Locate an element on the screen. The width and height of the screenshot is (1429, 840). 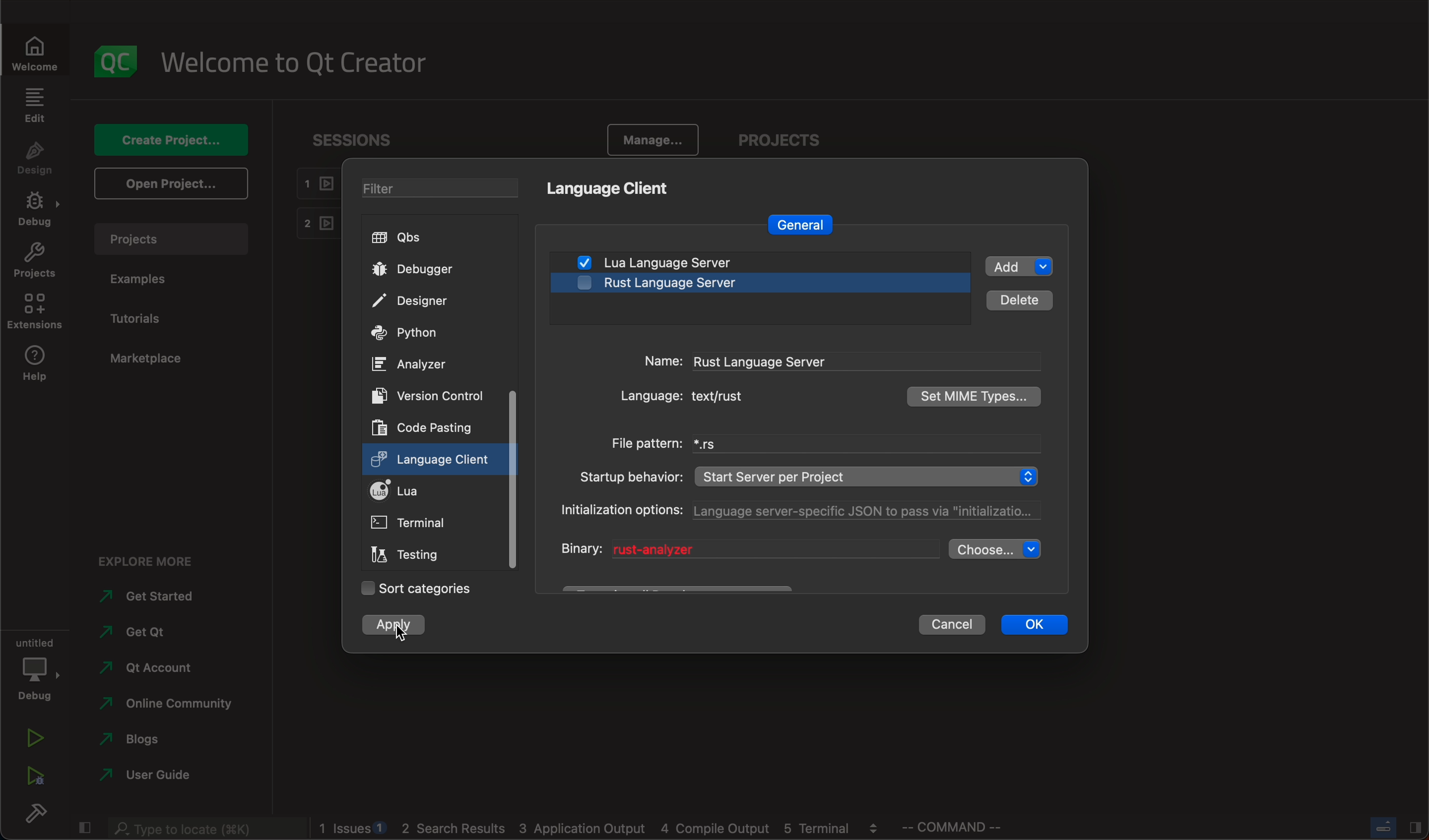
name is located at coordinates (816, 361).